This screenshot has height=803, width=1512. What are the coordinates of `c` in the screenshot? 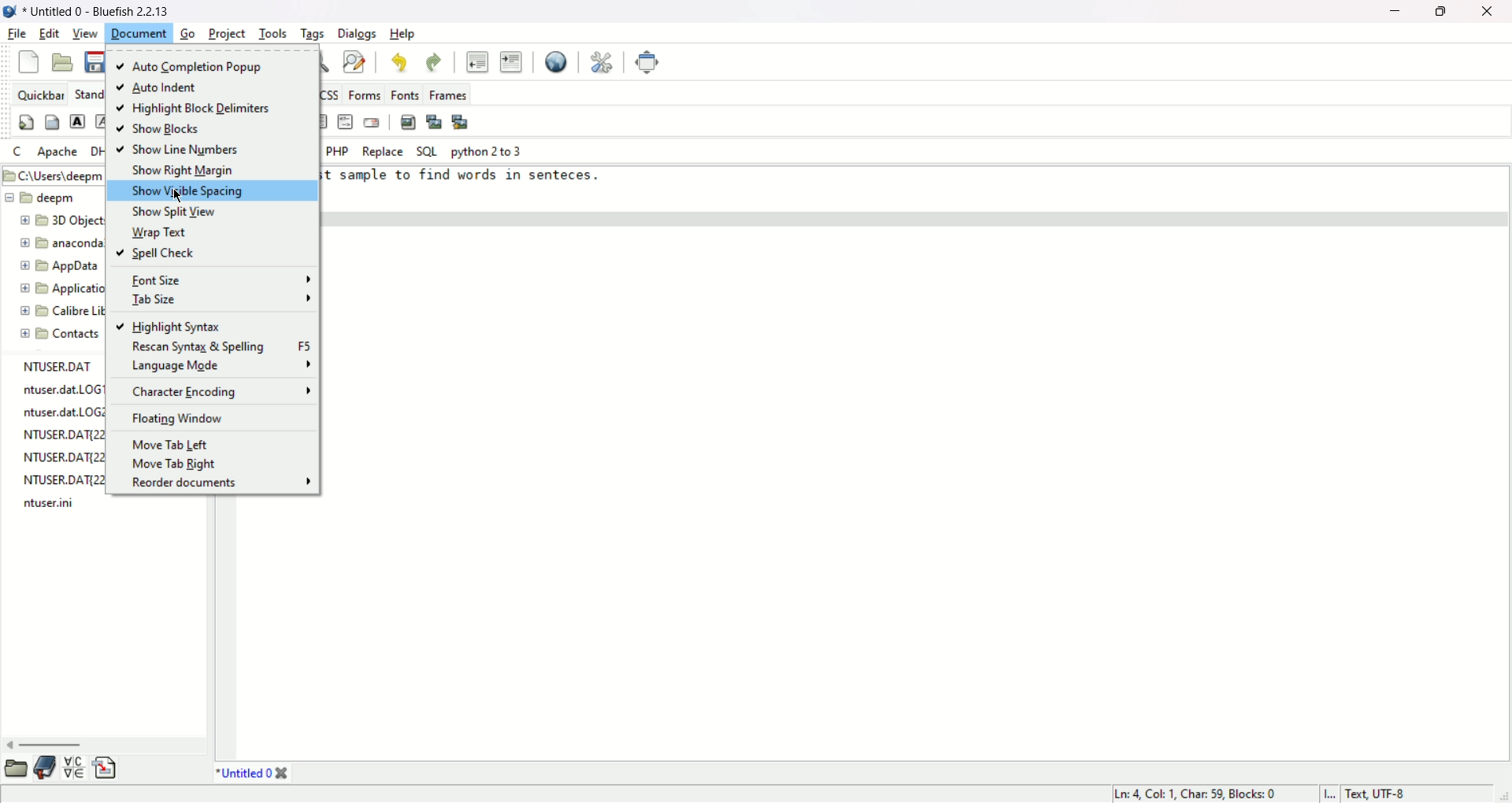 It's located at (17, 150).